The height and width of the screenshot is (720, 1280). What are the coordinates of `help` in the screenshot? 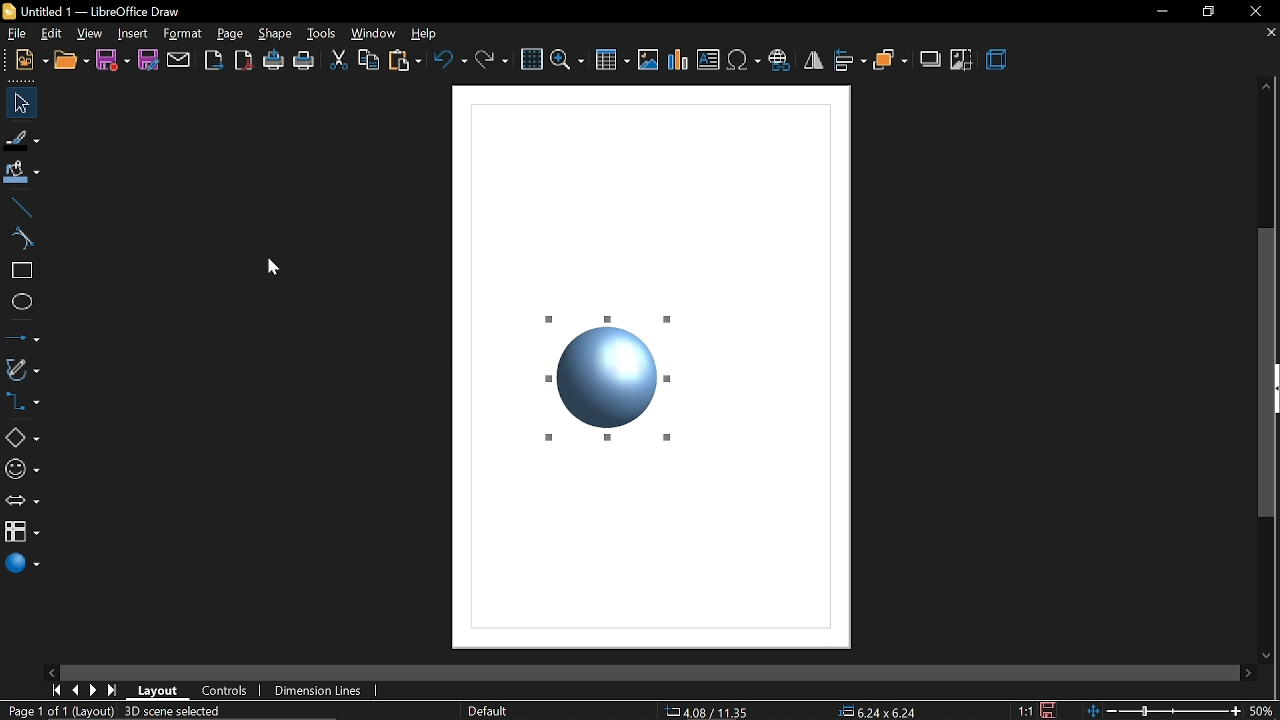 It's located at (429, 33).